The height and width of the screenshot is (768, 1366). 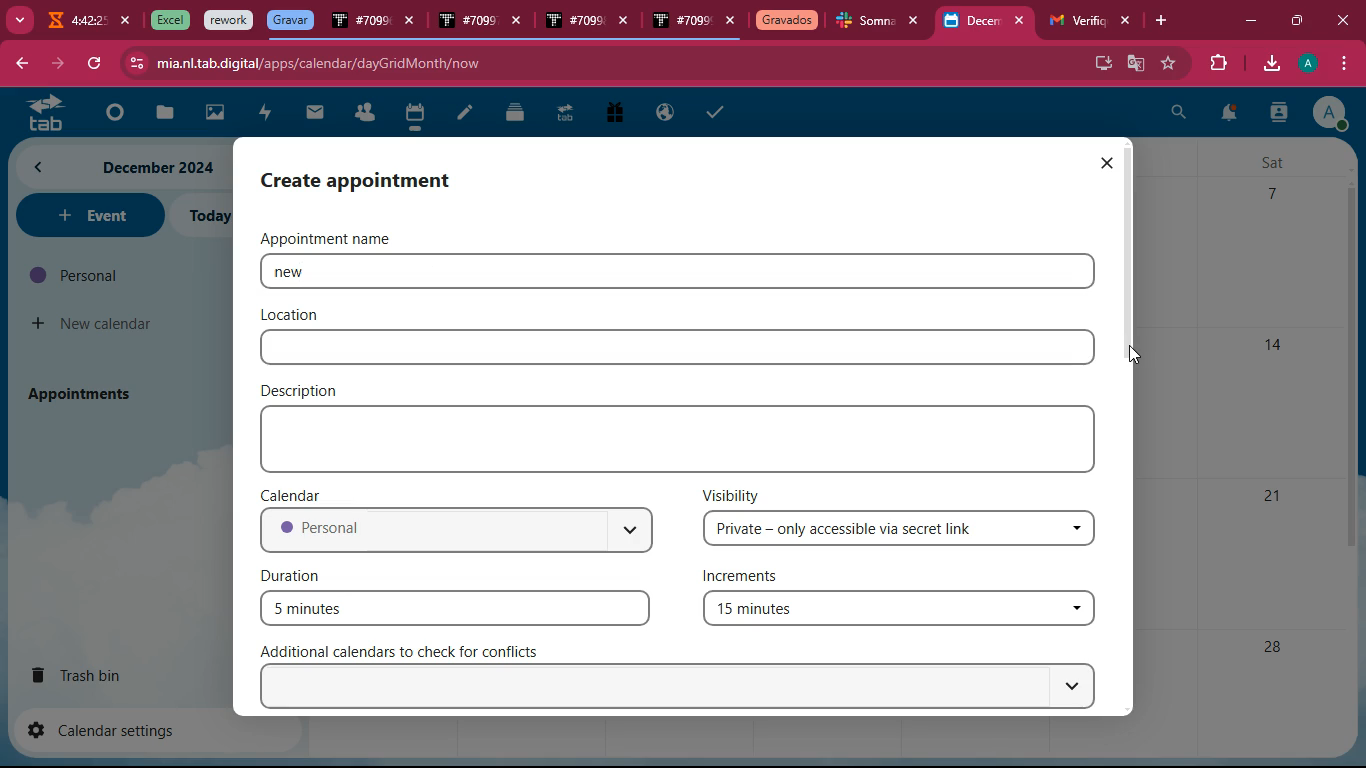 What do you see at coordinates (666, 113) in the screenshot?
I see `public` at bounding box center [666, 113].